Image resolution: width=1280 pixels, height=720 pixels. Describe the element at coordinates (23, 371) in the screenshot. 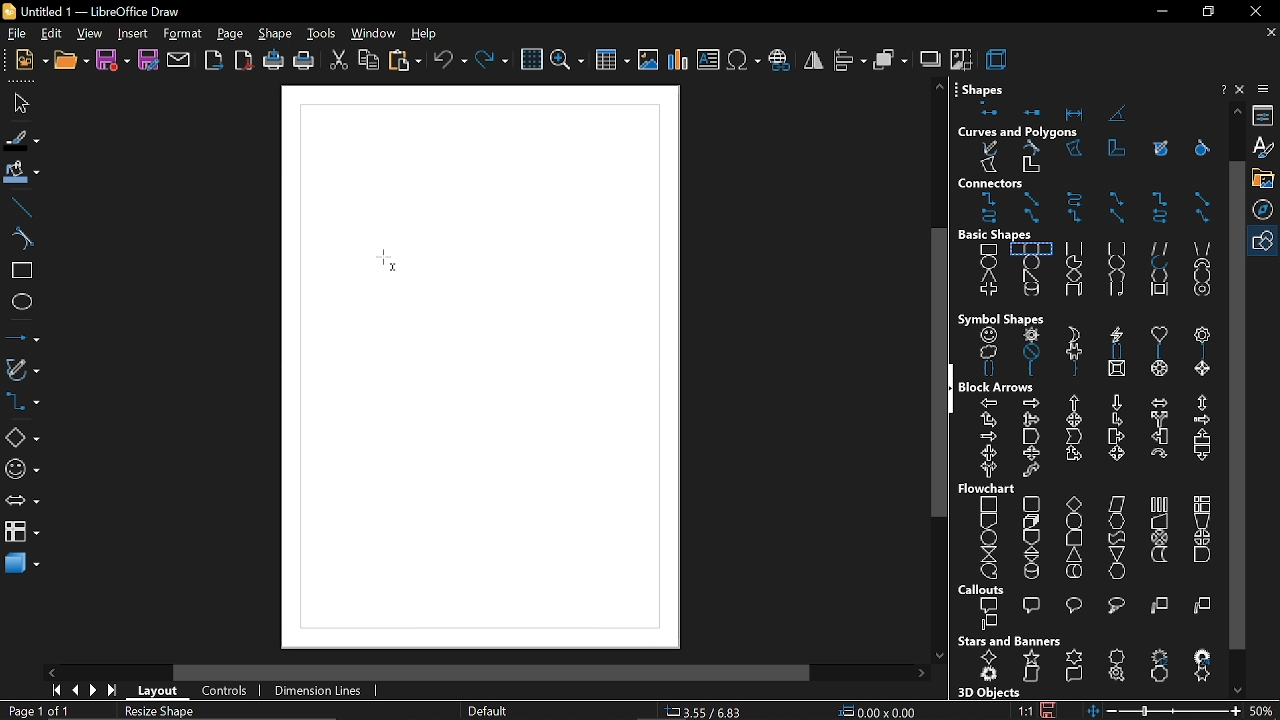

I see `curve and polygons` at that location.